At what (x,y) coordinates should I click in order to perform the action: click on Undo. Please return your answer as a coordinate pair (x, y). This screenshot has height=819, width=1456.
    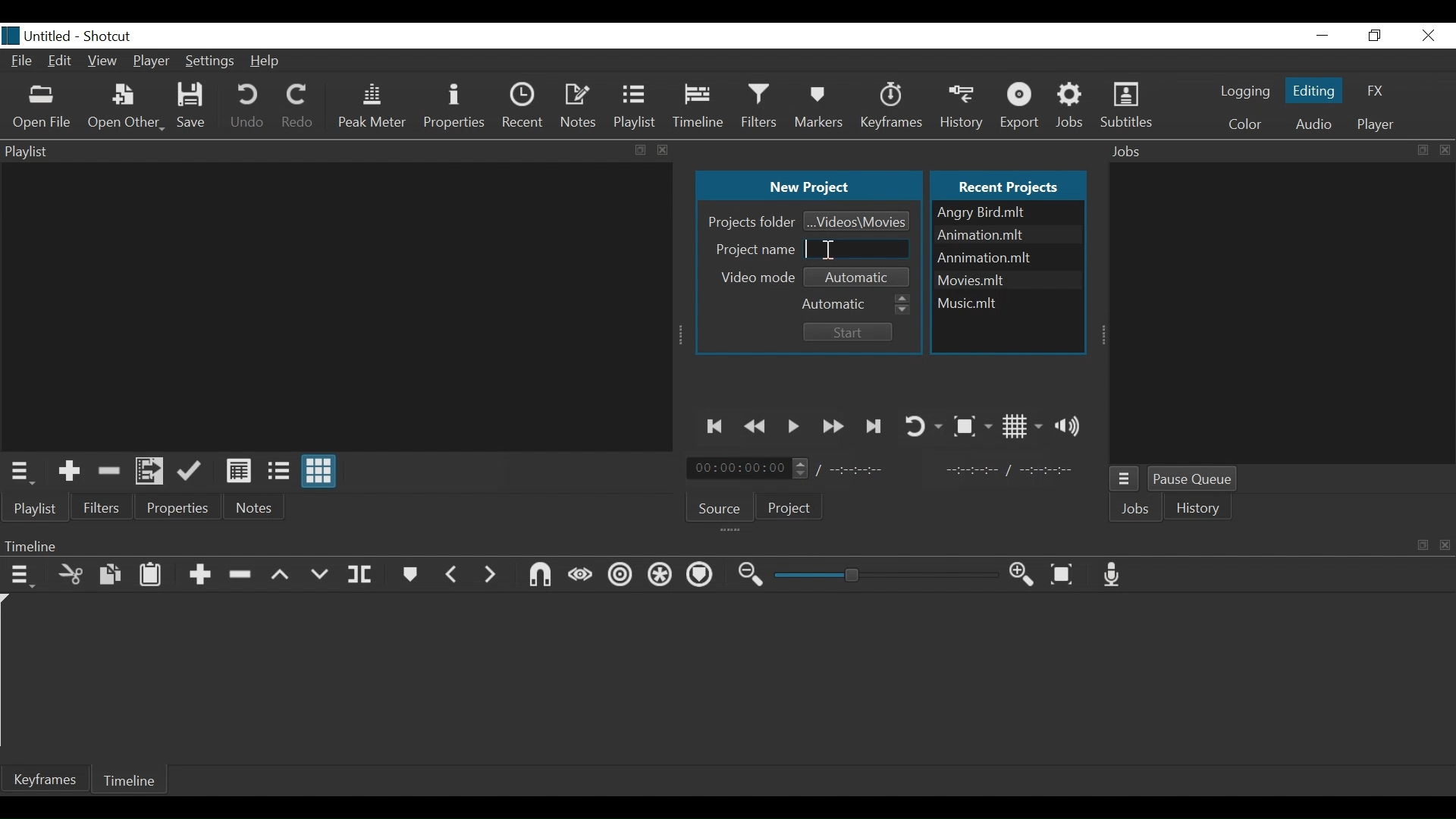
    Looking at the image, I should click on (247, 108).